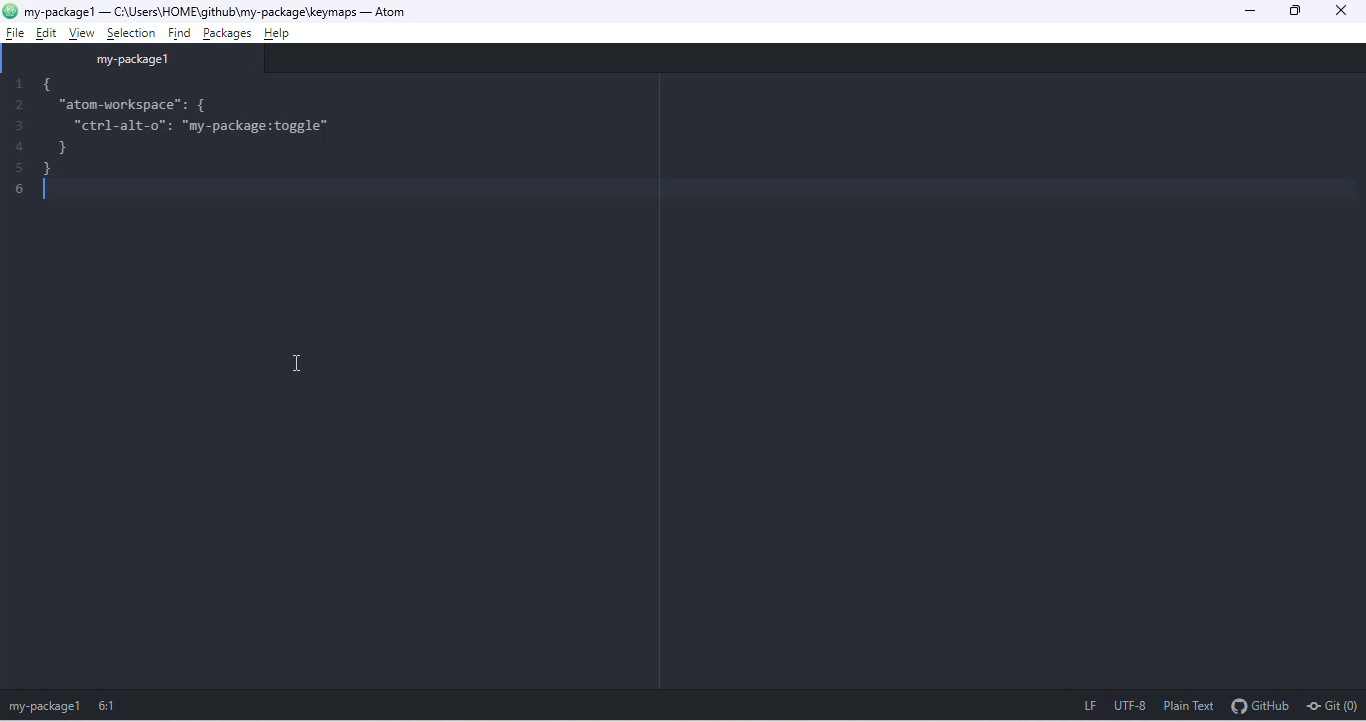  What do you see at coordinates (231, 10) in the screenshot?
I see ` c:\users\home\github\my package\keymaps-atom` at bounding box center [231, 10].